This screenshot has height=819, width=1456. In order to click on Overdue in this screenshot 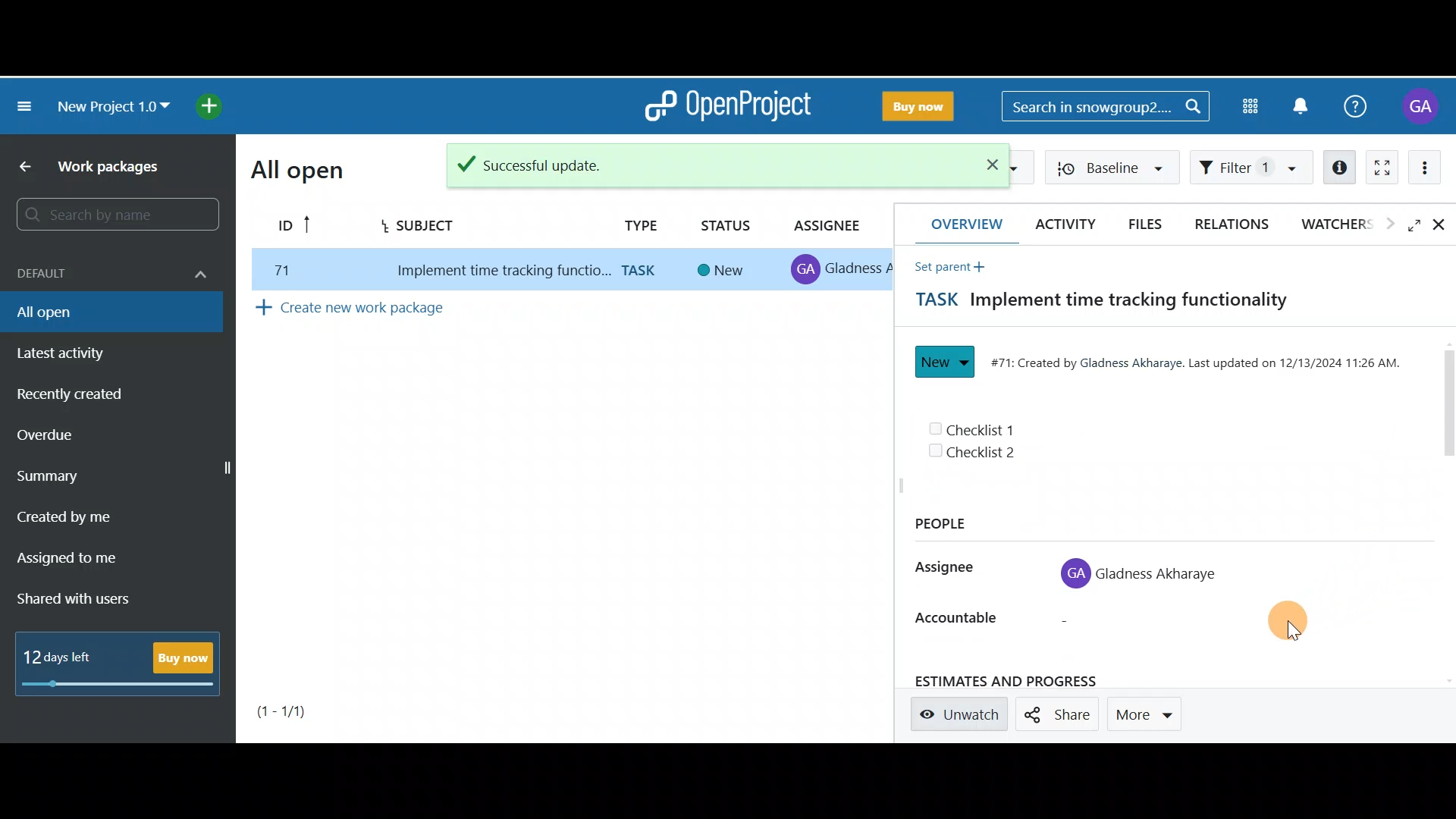, I will do `click(64, 434)`.